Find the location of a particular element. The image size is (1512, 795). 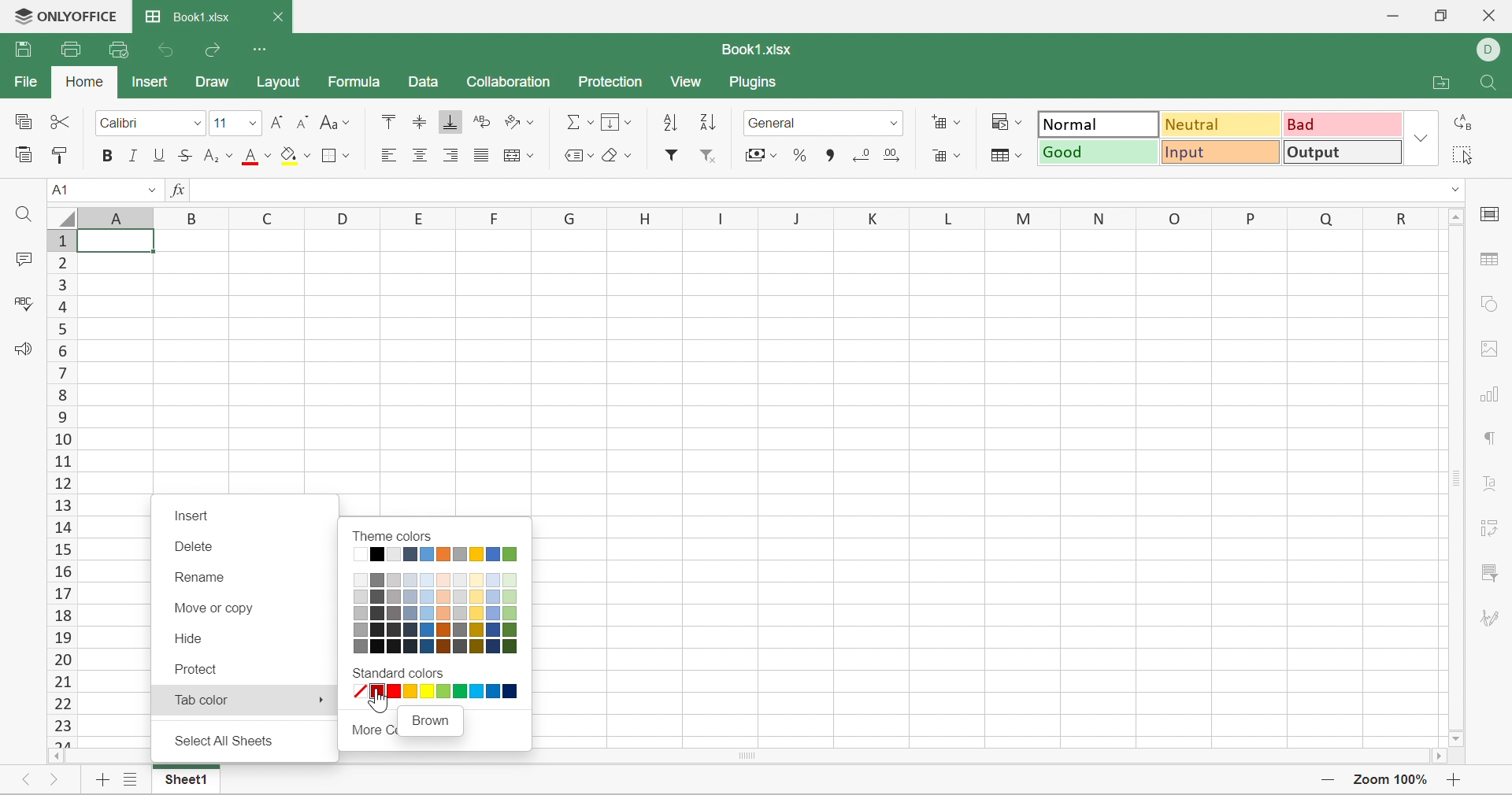

19 is located at coordinates (62, 635).